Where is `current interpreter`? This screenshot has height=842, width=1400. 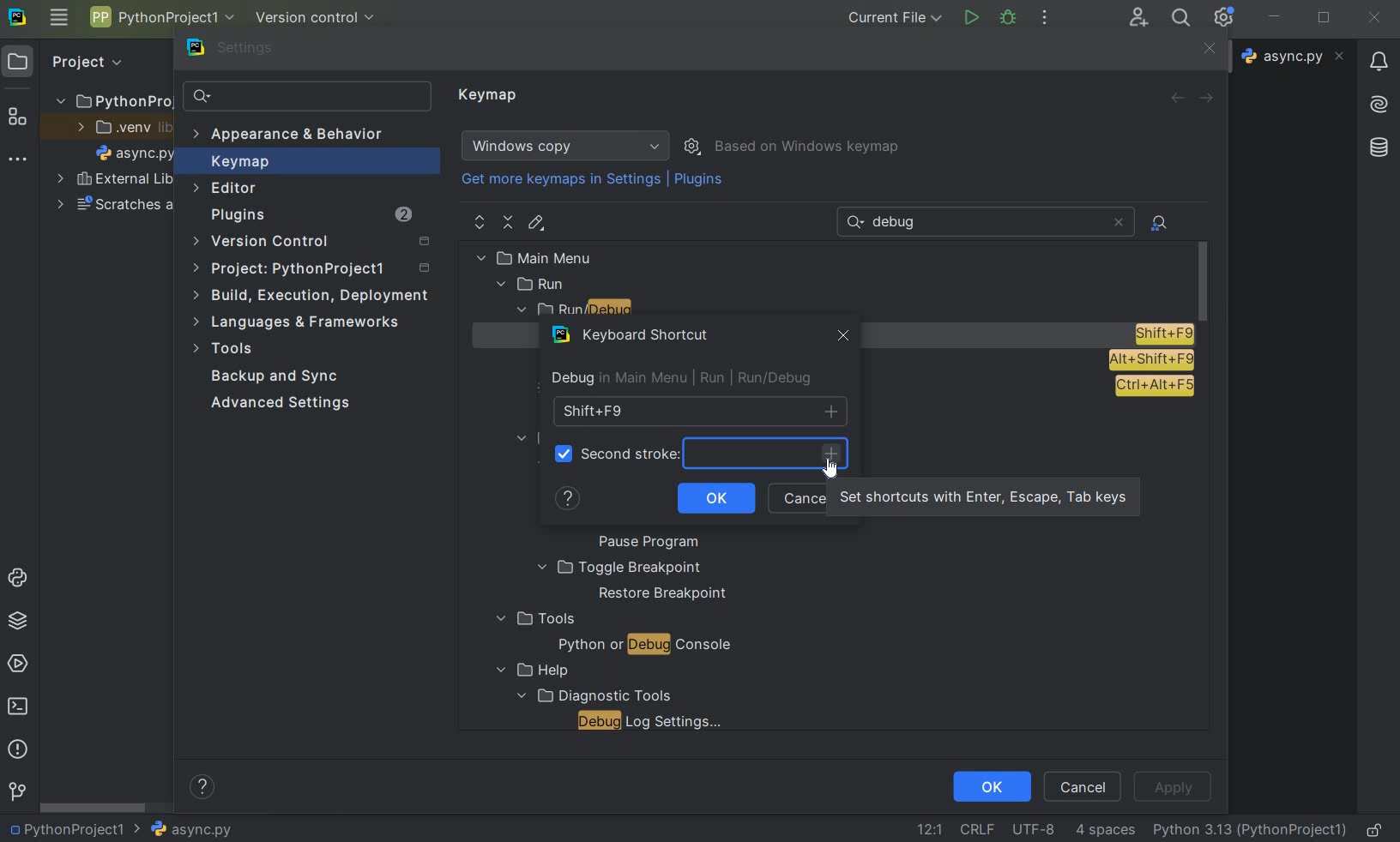
current interpreter is located at coordinates (1251, 829).